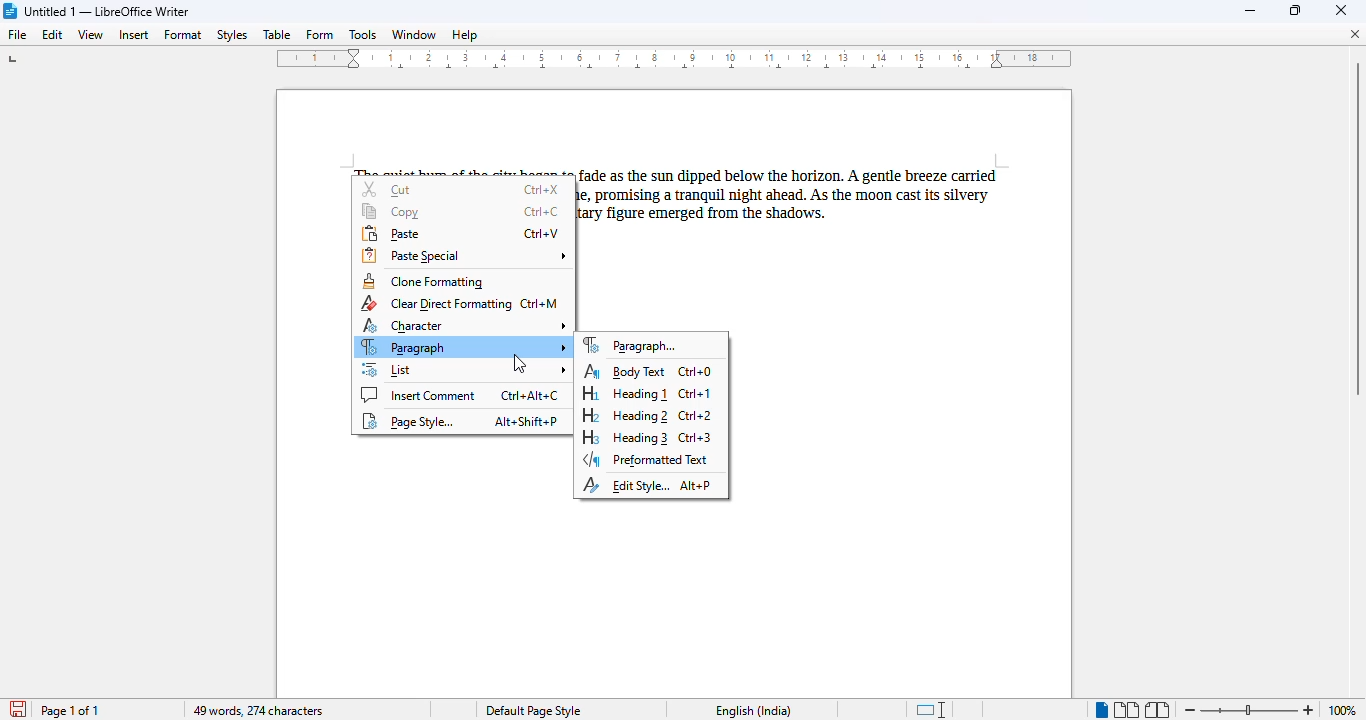  What do you see at coordinates (318, 32) in the screenshot?
I see `form` at bounding box center [318, 32].